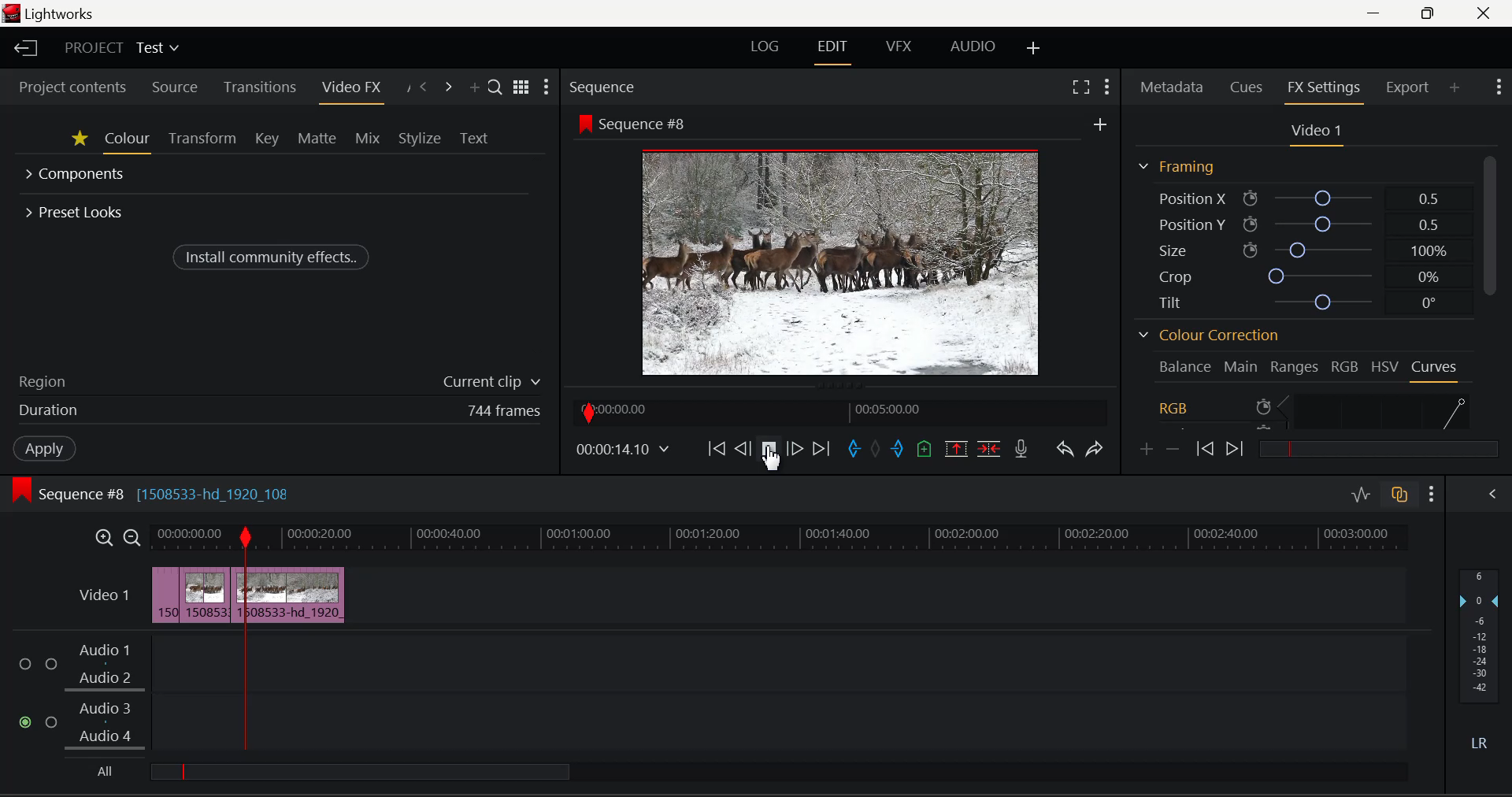 The image size is (1512, 797). I want to click on Project Title, so click(121, 49).